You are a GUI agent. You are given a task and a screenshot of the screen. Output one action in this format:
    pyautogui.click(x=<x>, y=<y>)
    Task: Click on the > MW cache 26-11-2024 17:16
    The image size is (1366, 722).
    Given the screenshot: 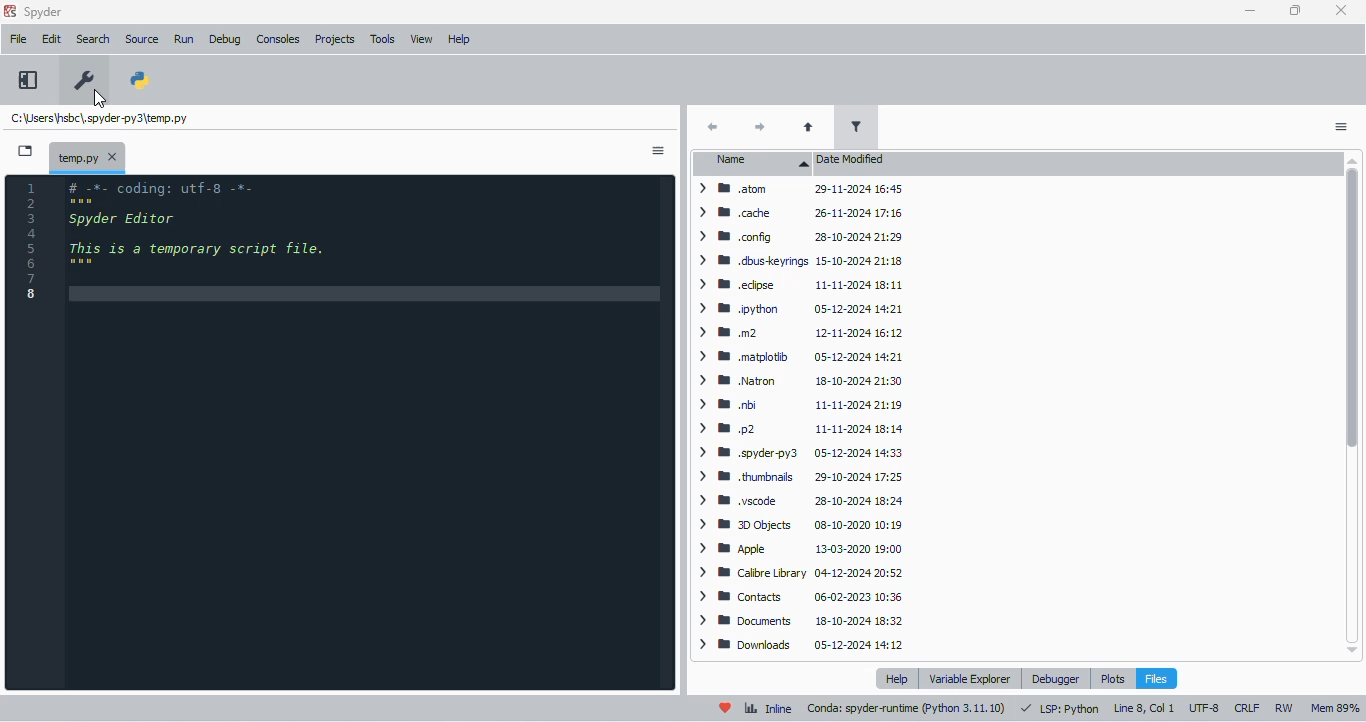 What is the action you would take?
    pyautogui.click(x=799, y=214)
    